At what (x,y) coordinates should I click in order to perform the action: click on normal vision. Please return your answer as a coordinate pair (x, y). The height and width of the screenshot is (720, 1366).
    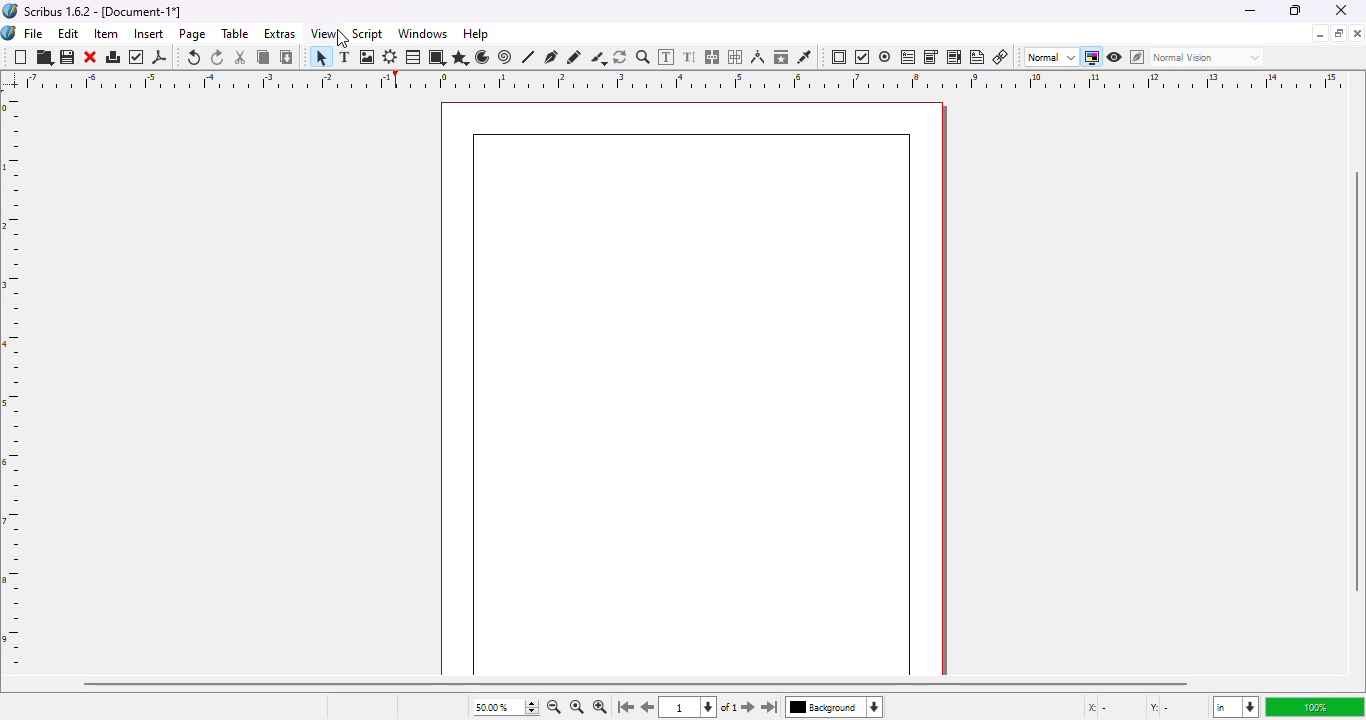
    Looking at the image, I should click on (1209, 57).